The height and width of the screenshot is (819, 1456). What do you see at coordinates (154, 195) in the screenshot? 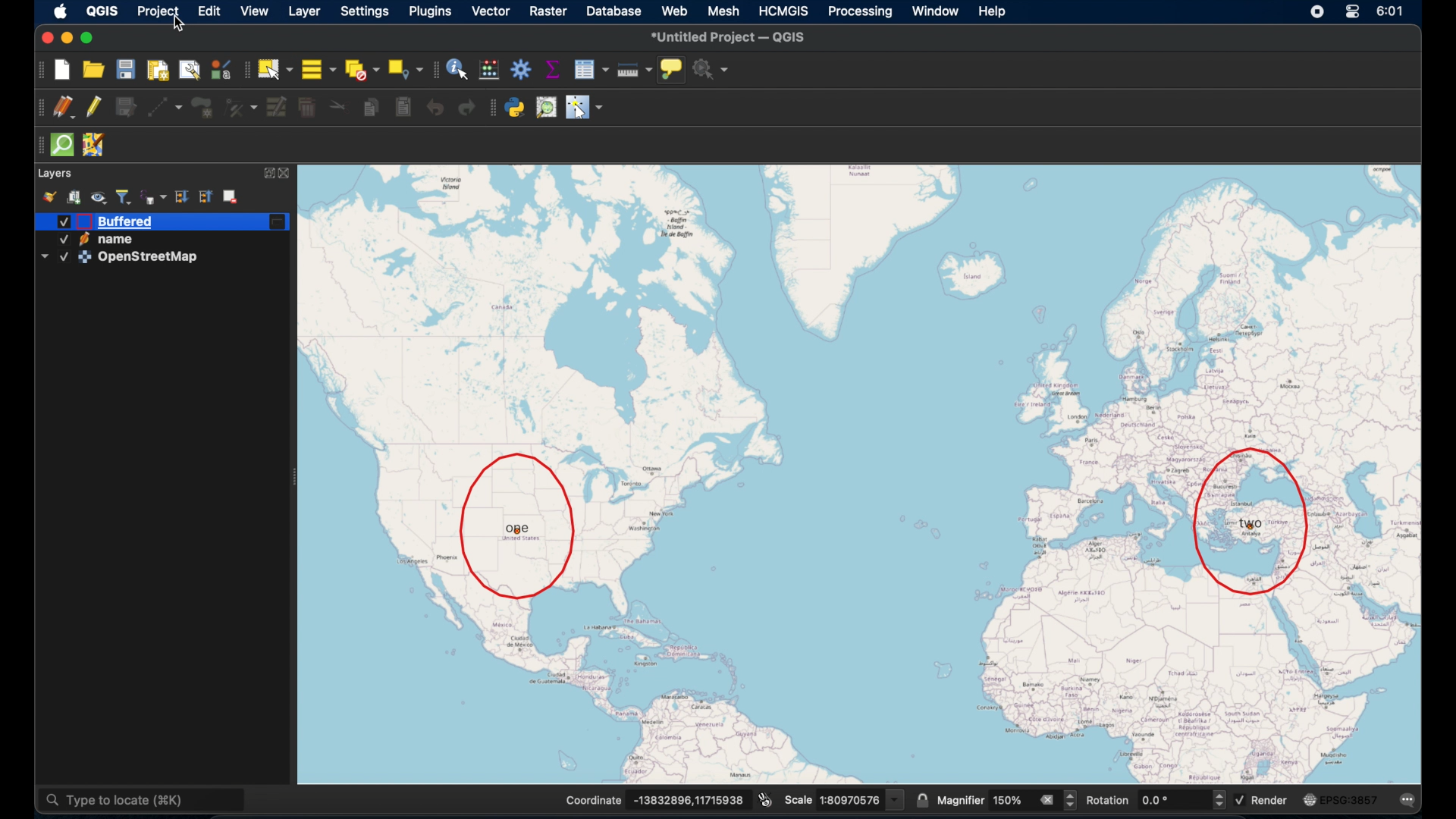
I see `filter legend by expression` at bounding box center [154, 195].